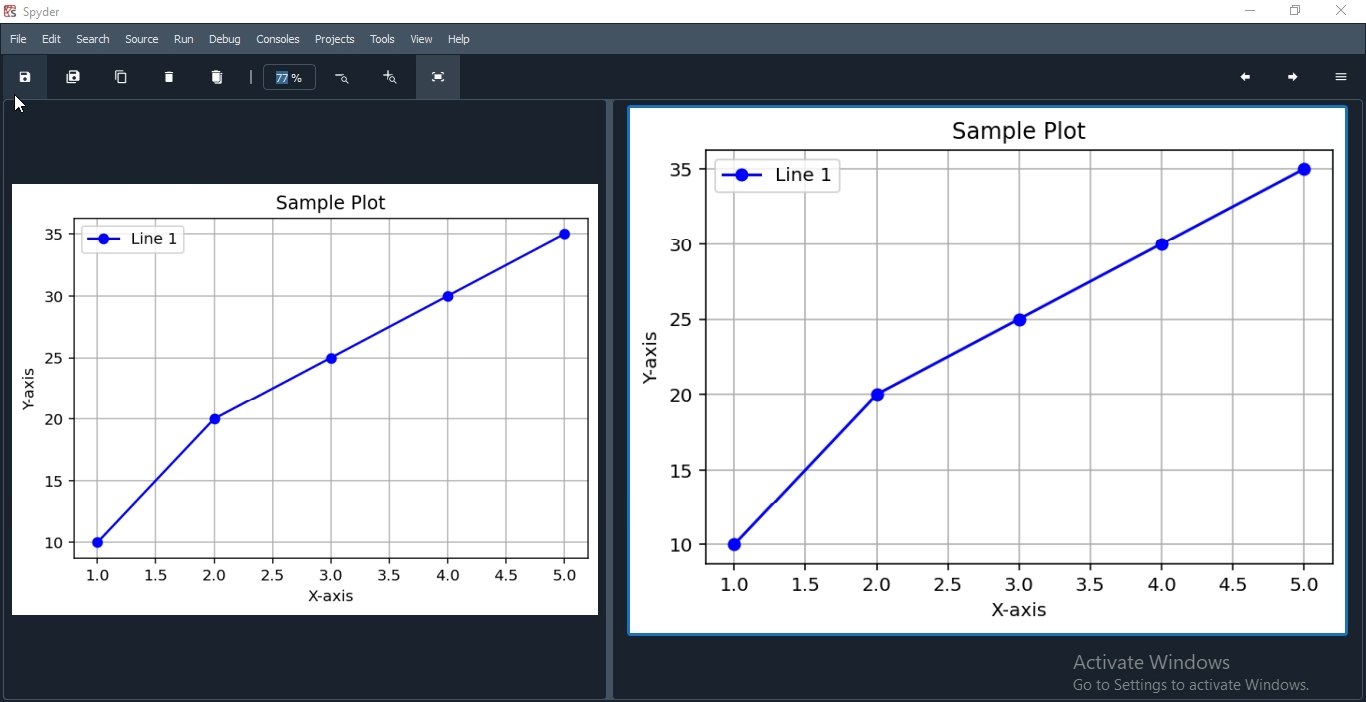 This screenshot has height=702, width=1366. I want to click on options, so click(1346, 73).